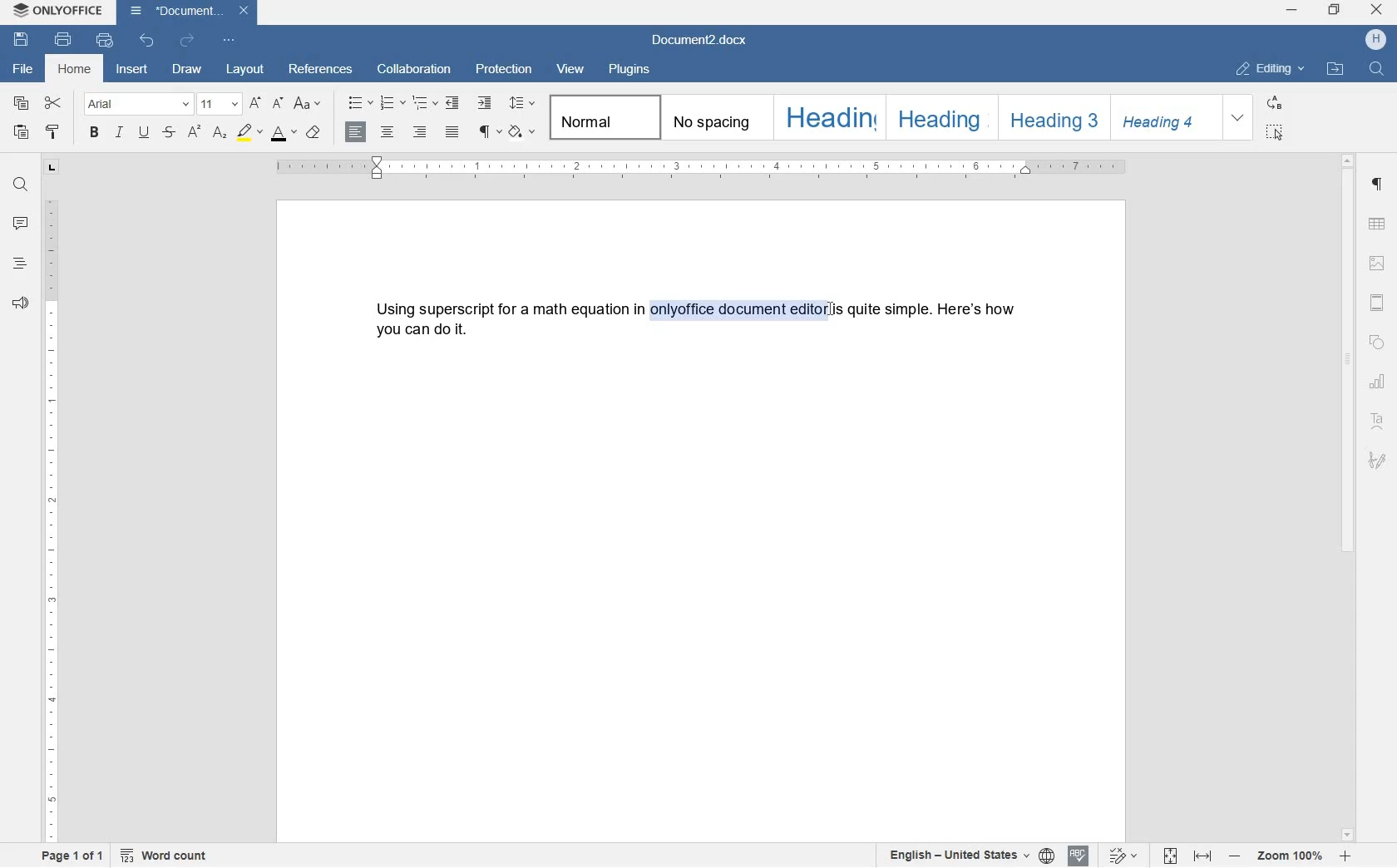  I want to click on increase indent, so click(484, 103).